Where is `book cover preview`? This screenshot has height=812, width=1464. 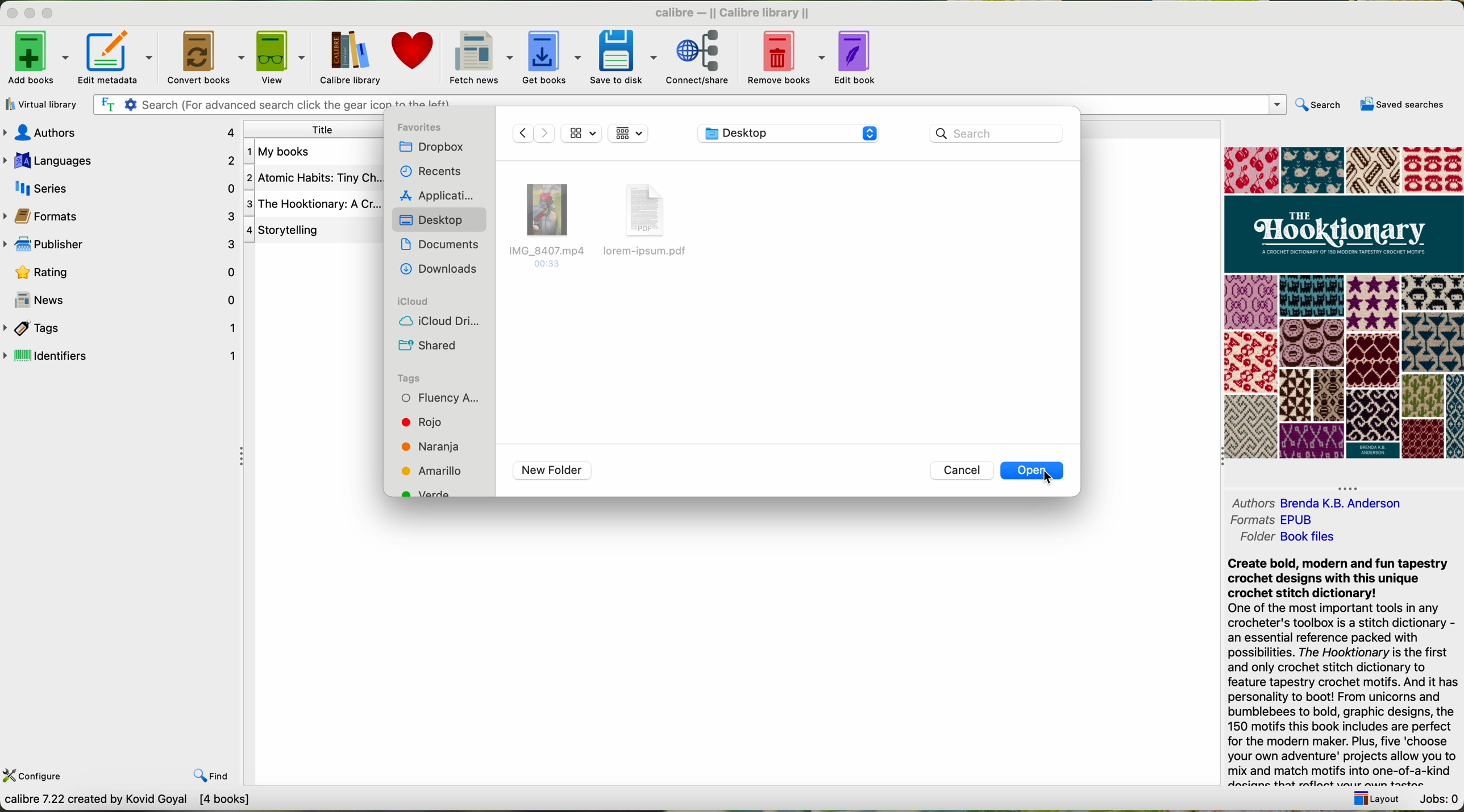
book cover preview is located at coordinates (1344, 303).